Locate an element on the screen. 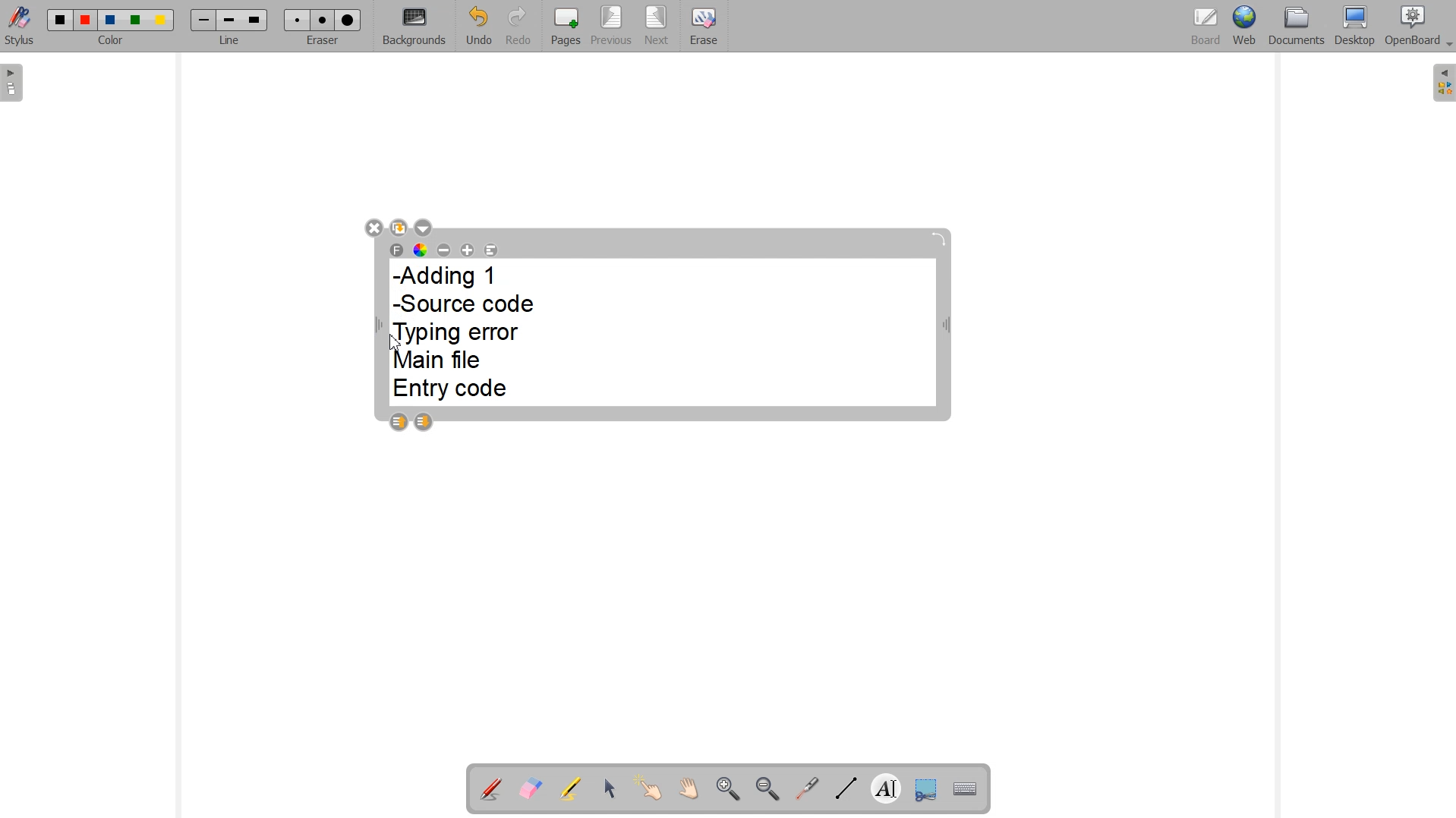 Image resolution: width=1456 pixels, height=818 pixels. Text Alignment is located at coordinates (491, 250).